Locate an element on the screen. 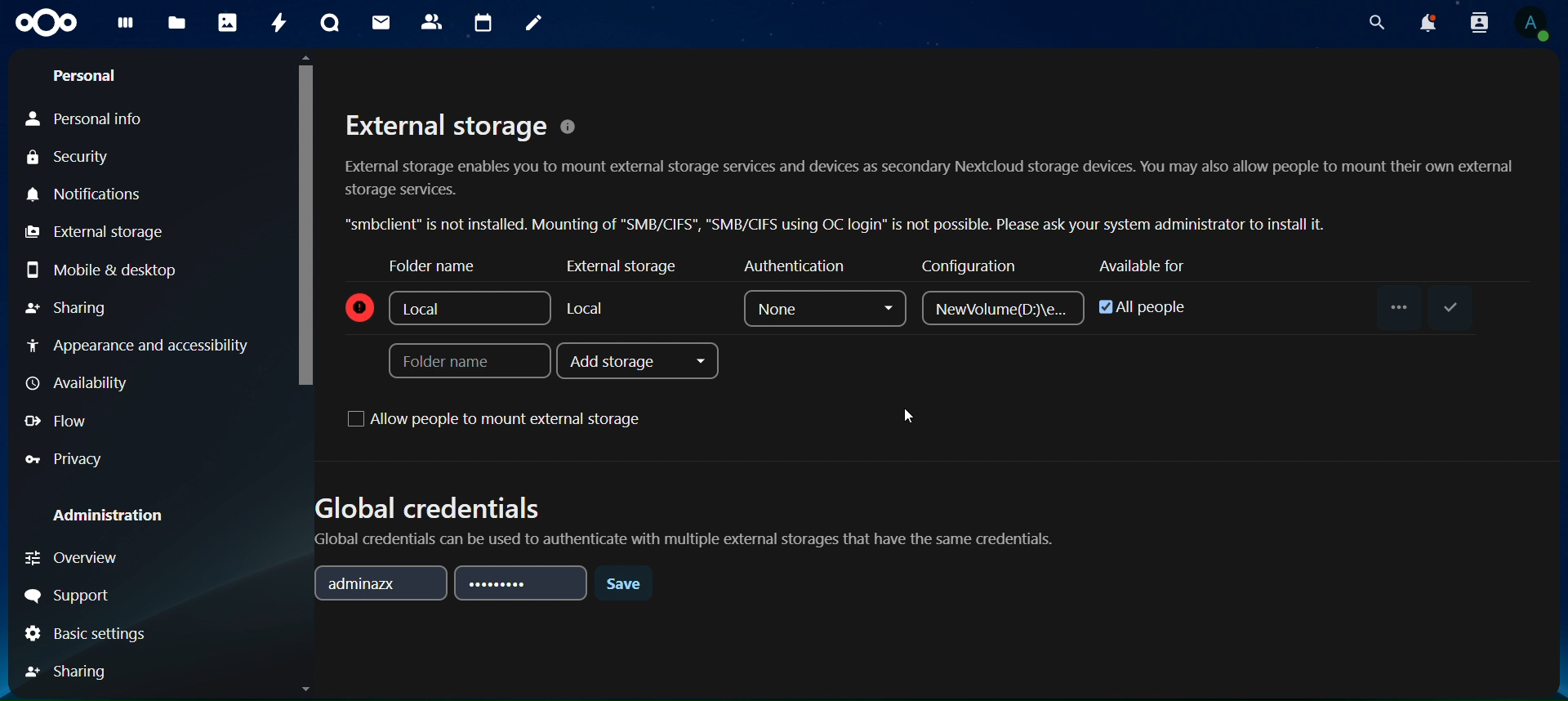 This screenshot has height=701, width=1568. cursor is located at coordinates (305, 221).